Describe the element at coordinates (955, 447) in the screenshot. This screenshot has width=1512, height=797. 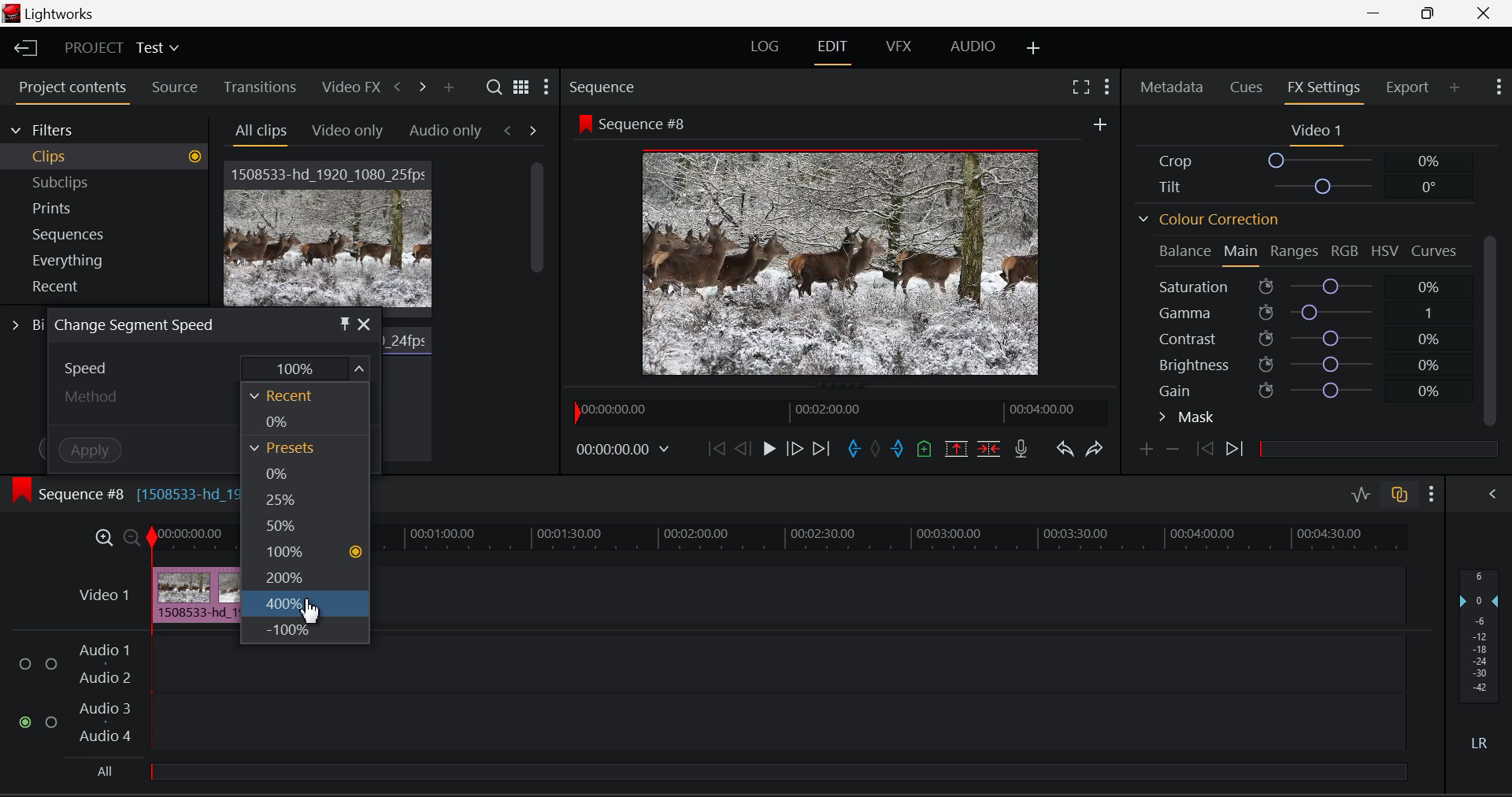
I see `Remove marked section` at that location.